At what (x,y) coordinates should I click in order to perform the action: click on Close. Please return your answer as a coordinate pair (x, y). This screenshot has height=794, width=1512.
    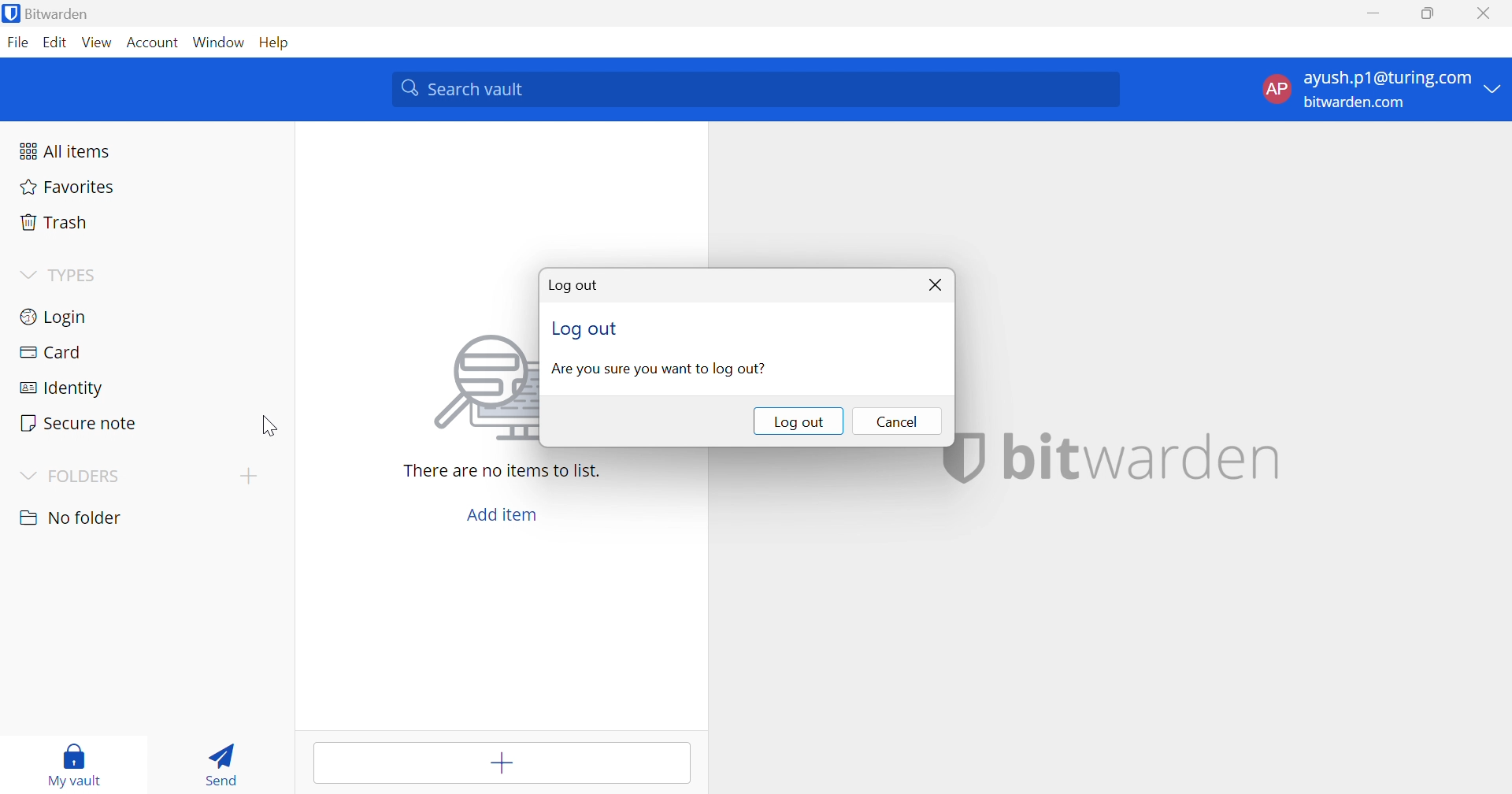
    Looking at the image, I should click on (1485, 14).